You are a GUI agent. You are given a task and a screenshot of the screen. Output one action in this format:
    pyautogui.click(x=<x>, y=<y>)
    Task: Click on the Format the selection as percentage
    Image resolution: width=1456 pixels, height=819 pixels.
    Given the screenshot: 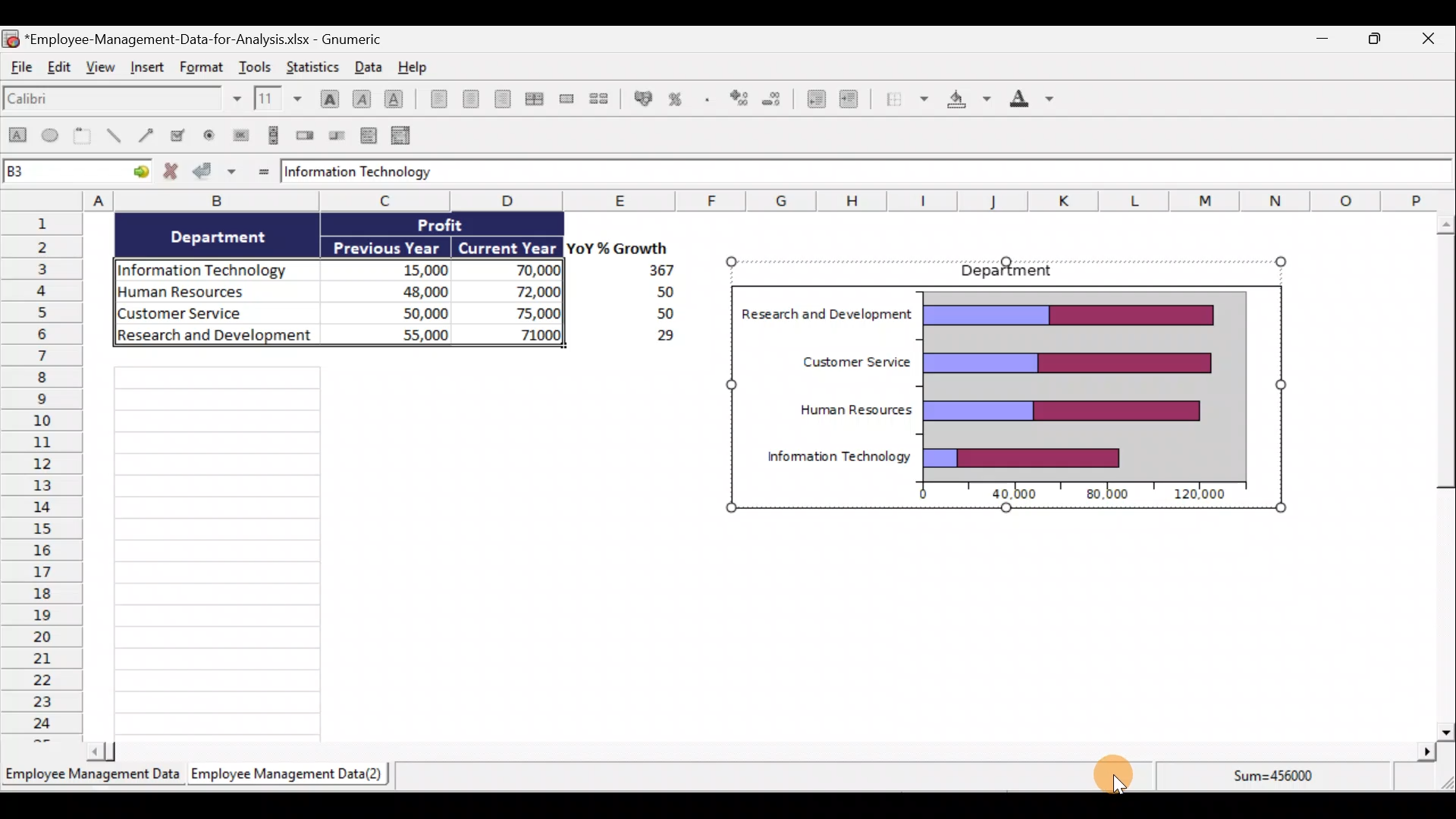 What is the action you would take?
    pyautogui.click(x=678, y=101)
    